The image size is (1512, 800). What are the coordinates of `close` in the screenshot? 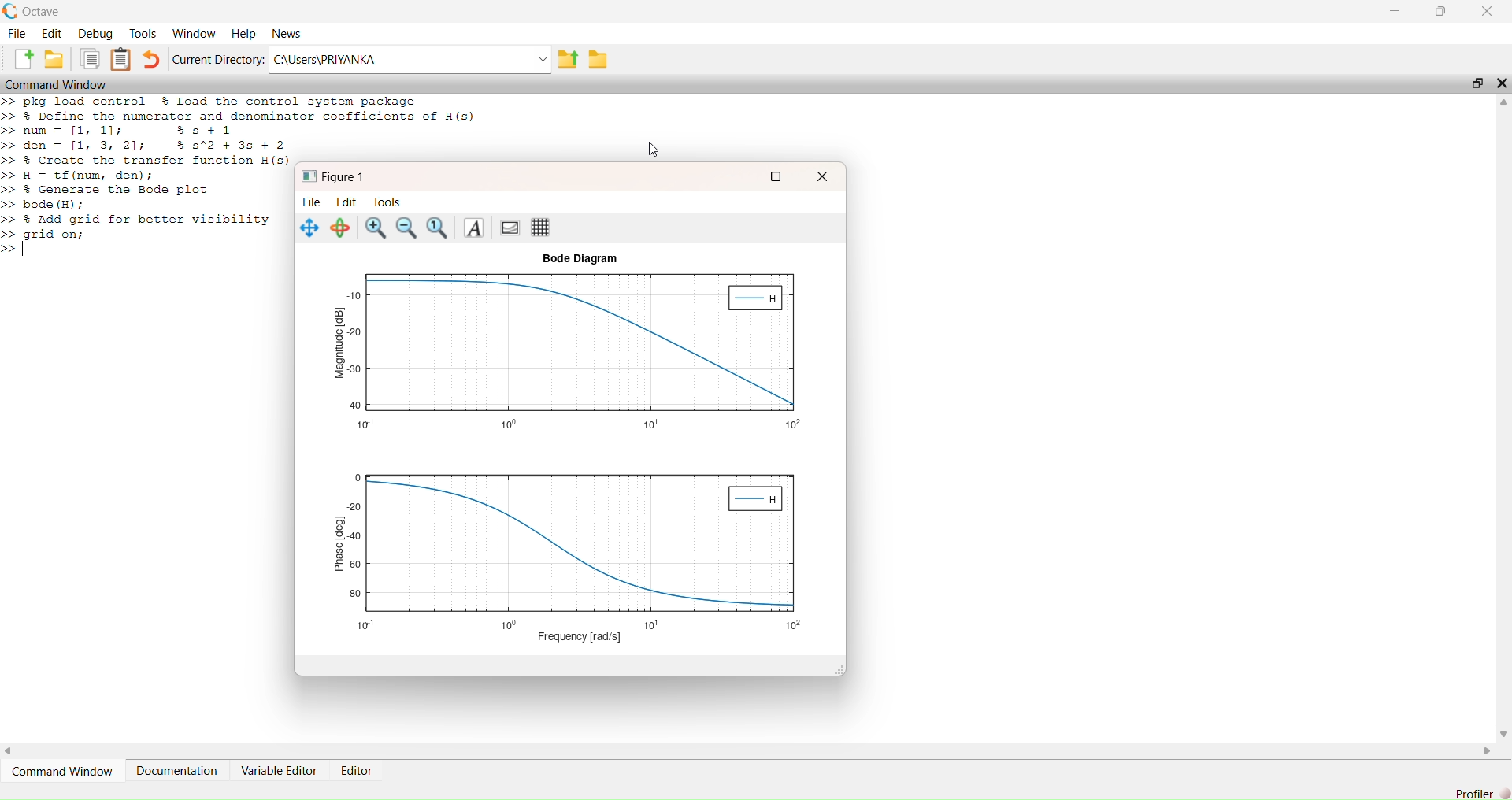 It's located at (1486, 10).